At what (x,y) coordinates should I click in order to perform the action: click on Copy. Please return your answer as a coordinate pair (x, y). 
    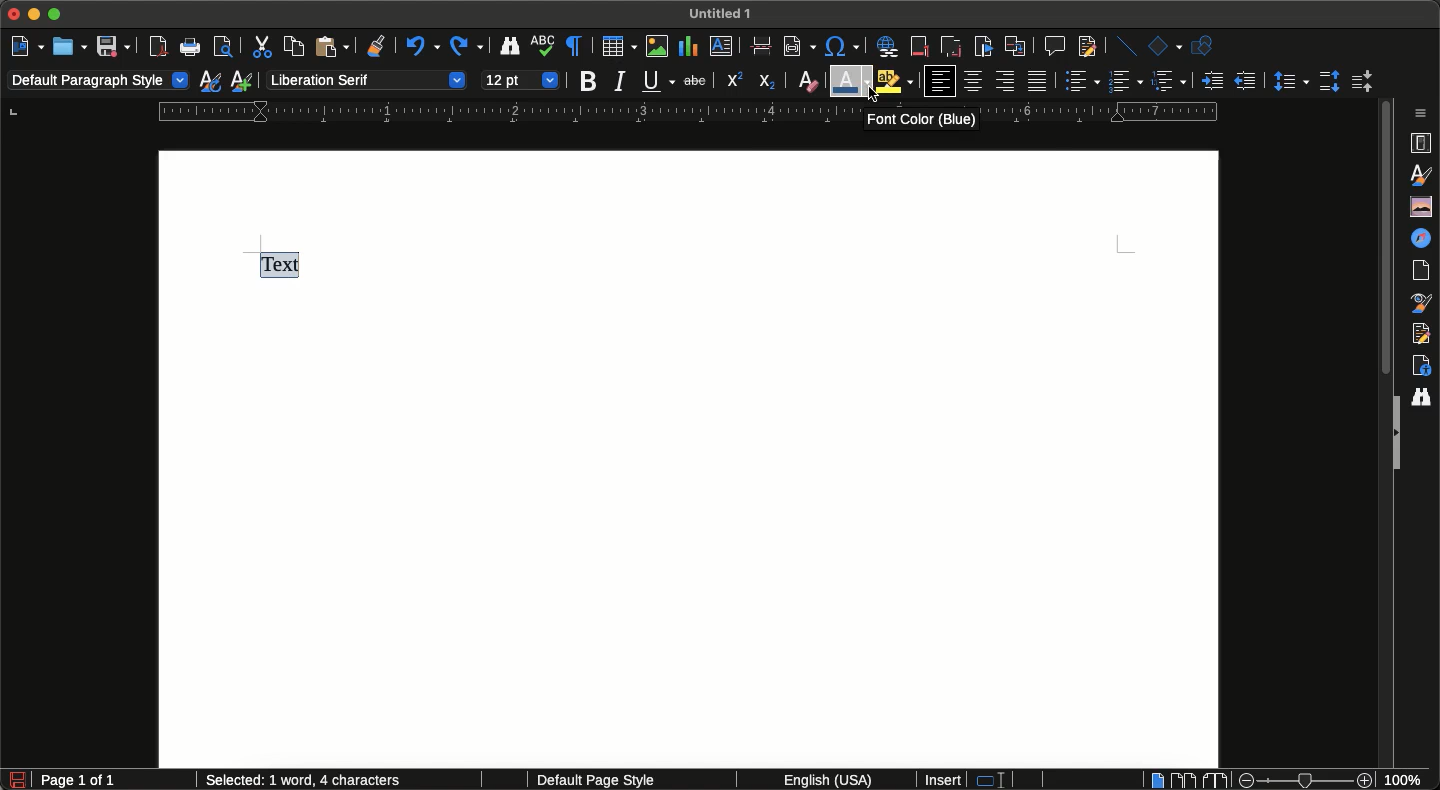
    Looking at the image, I should click on (291, 46).